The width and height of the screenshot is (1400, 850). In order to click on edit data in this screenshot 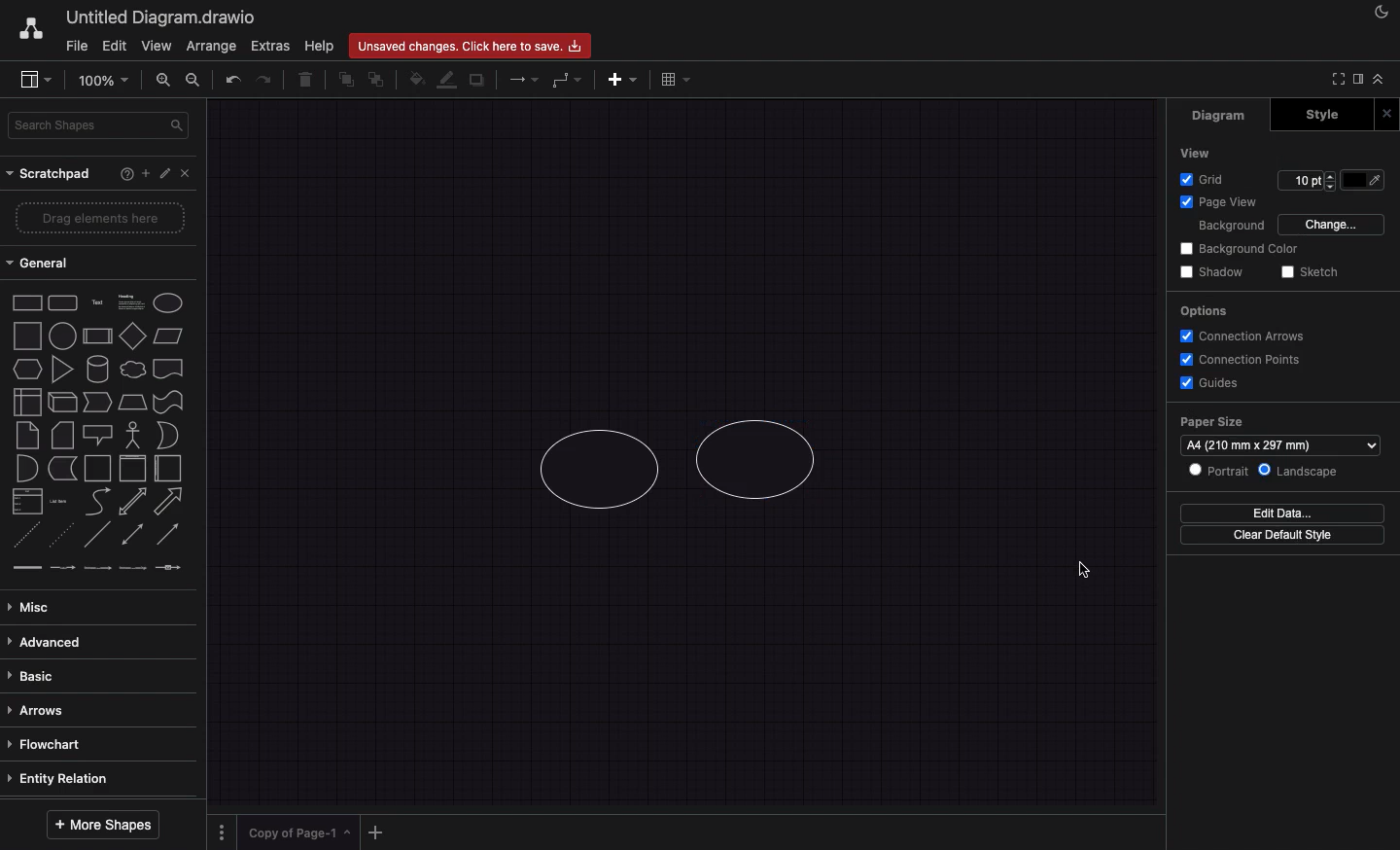, I will do `click(1281, 512)`.